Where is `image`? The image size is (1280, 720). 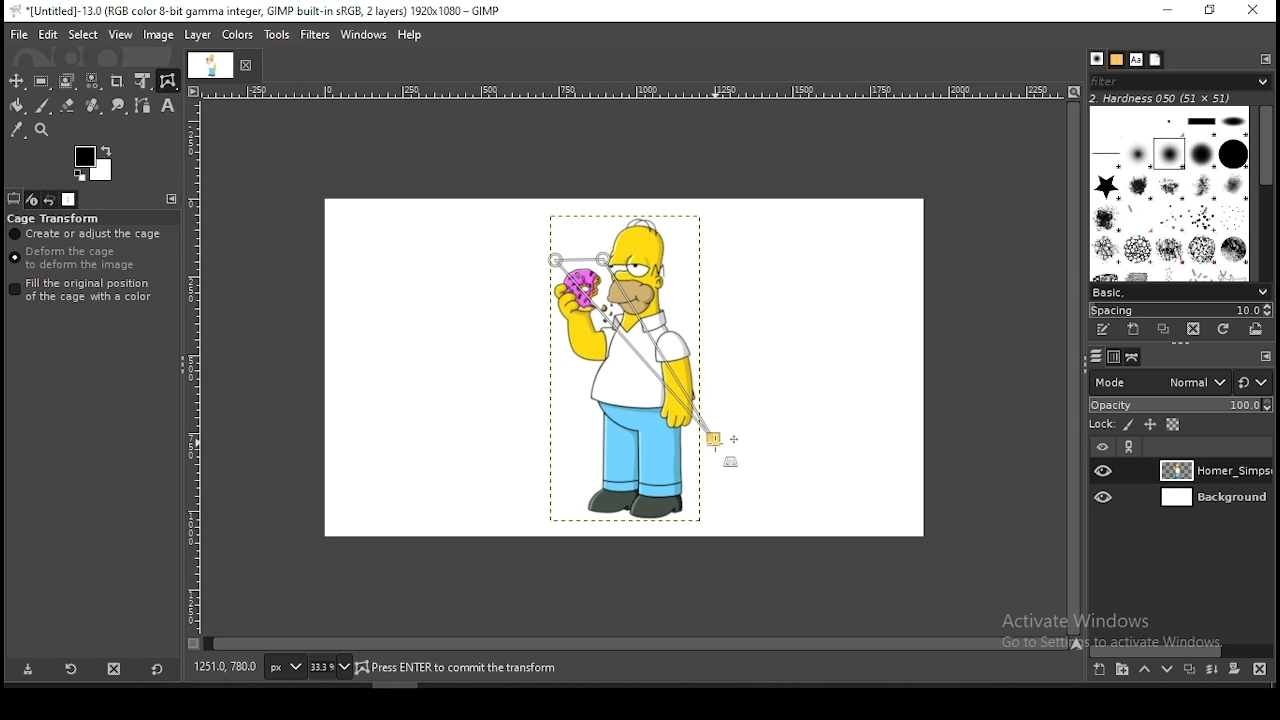 image is located at coordinates (160, 37).